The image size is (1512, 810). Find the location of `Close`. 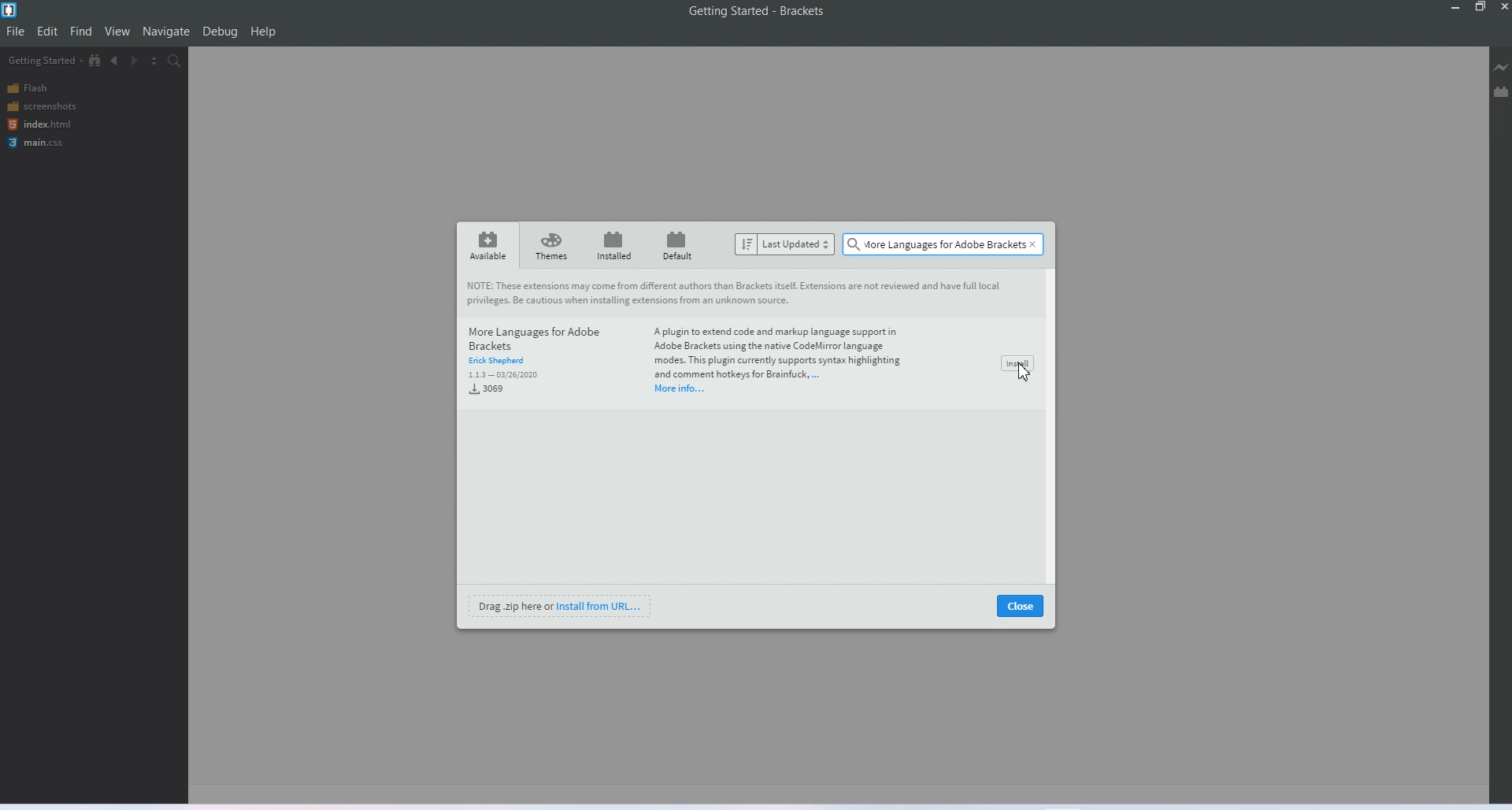

Close is located at coordinates (1020, 604).